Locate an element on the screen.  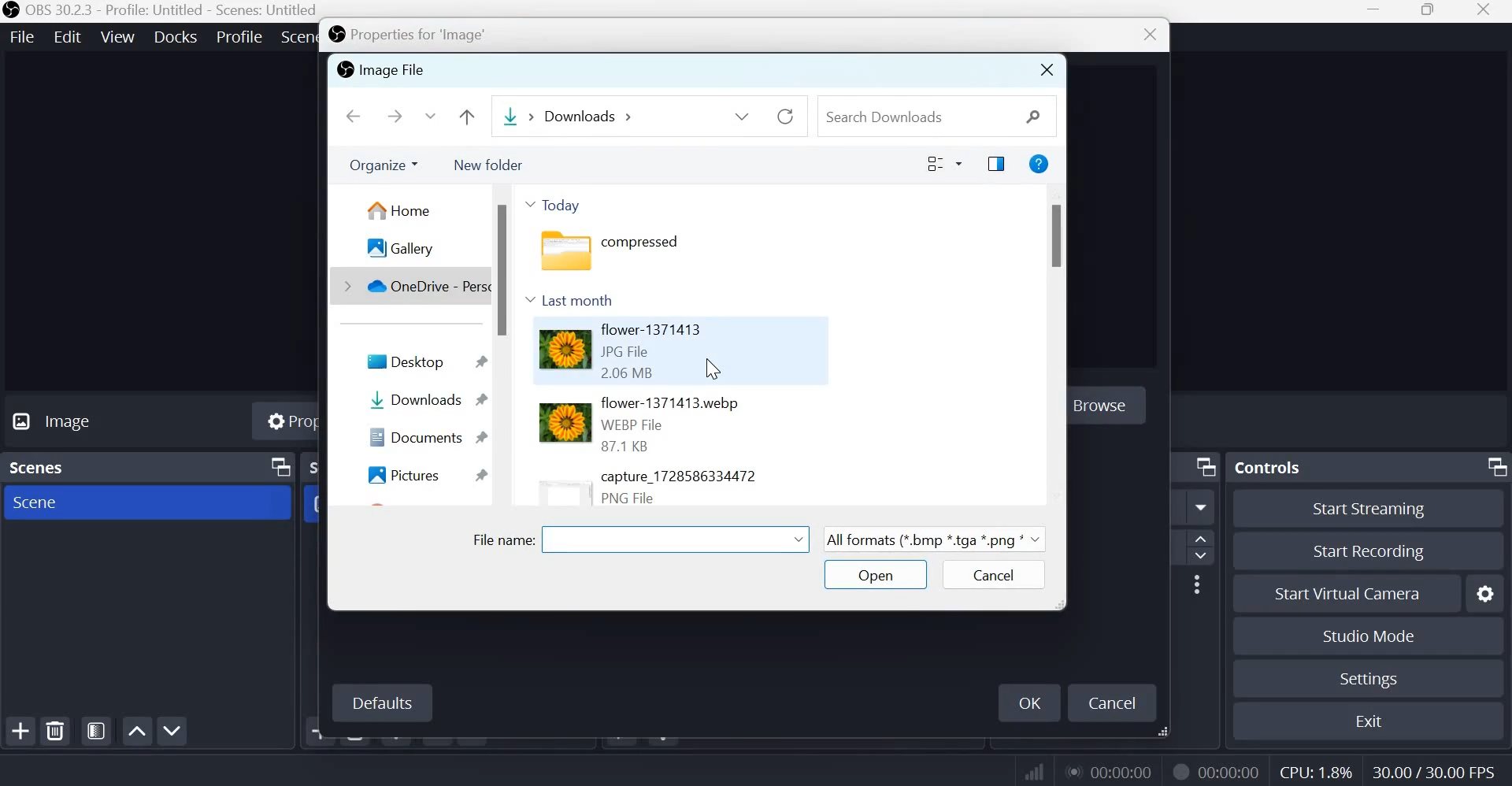
Studio mode is located at coordinates (1369, 635).